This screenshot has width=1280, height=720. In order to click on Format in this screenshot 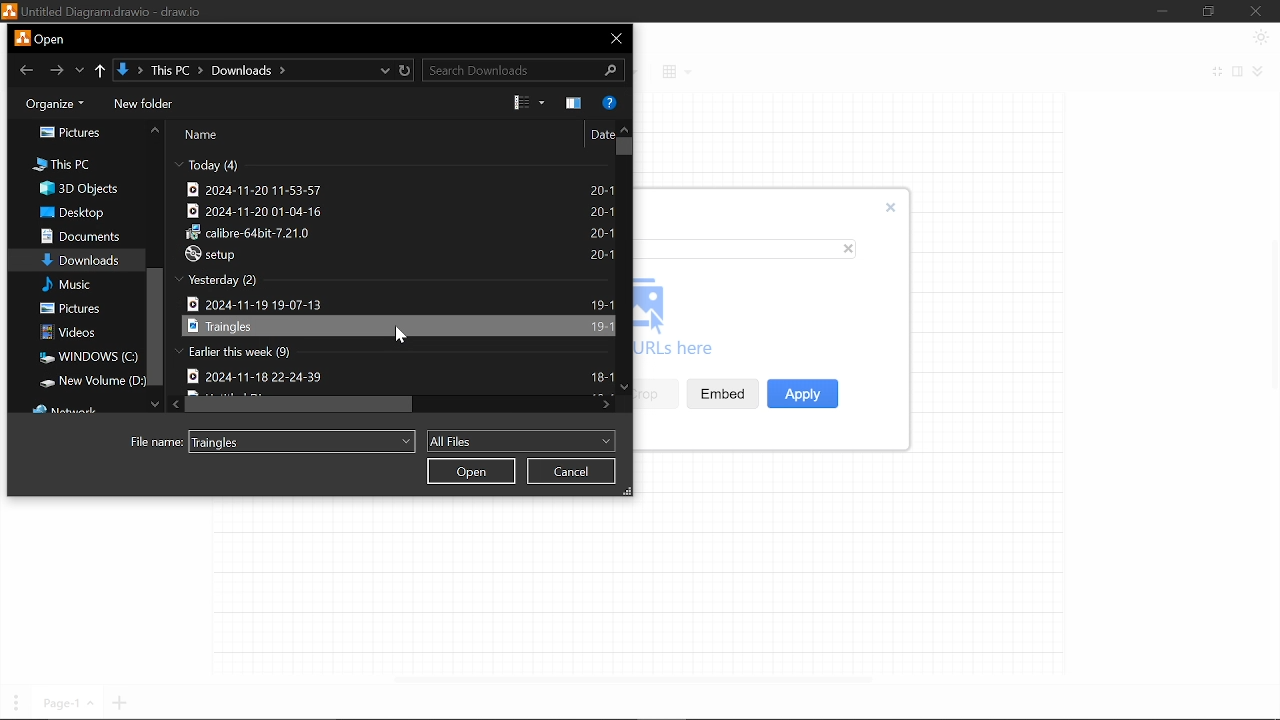, I will do `click(1238, 73)`.